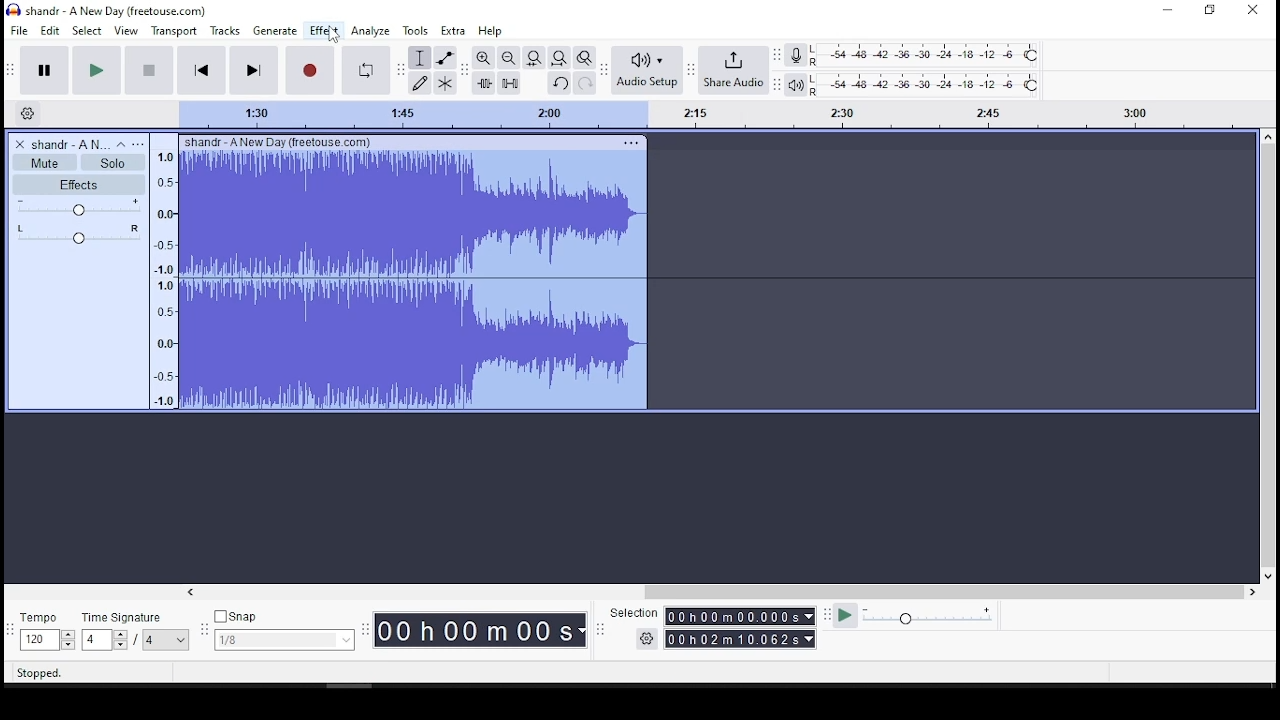 Image resolution: width=1280 pixels, height=720 pixels. I want to click on open menu, so click(140, 143).